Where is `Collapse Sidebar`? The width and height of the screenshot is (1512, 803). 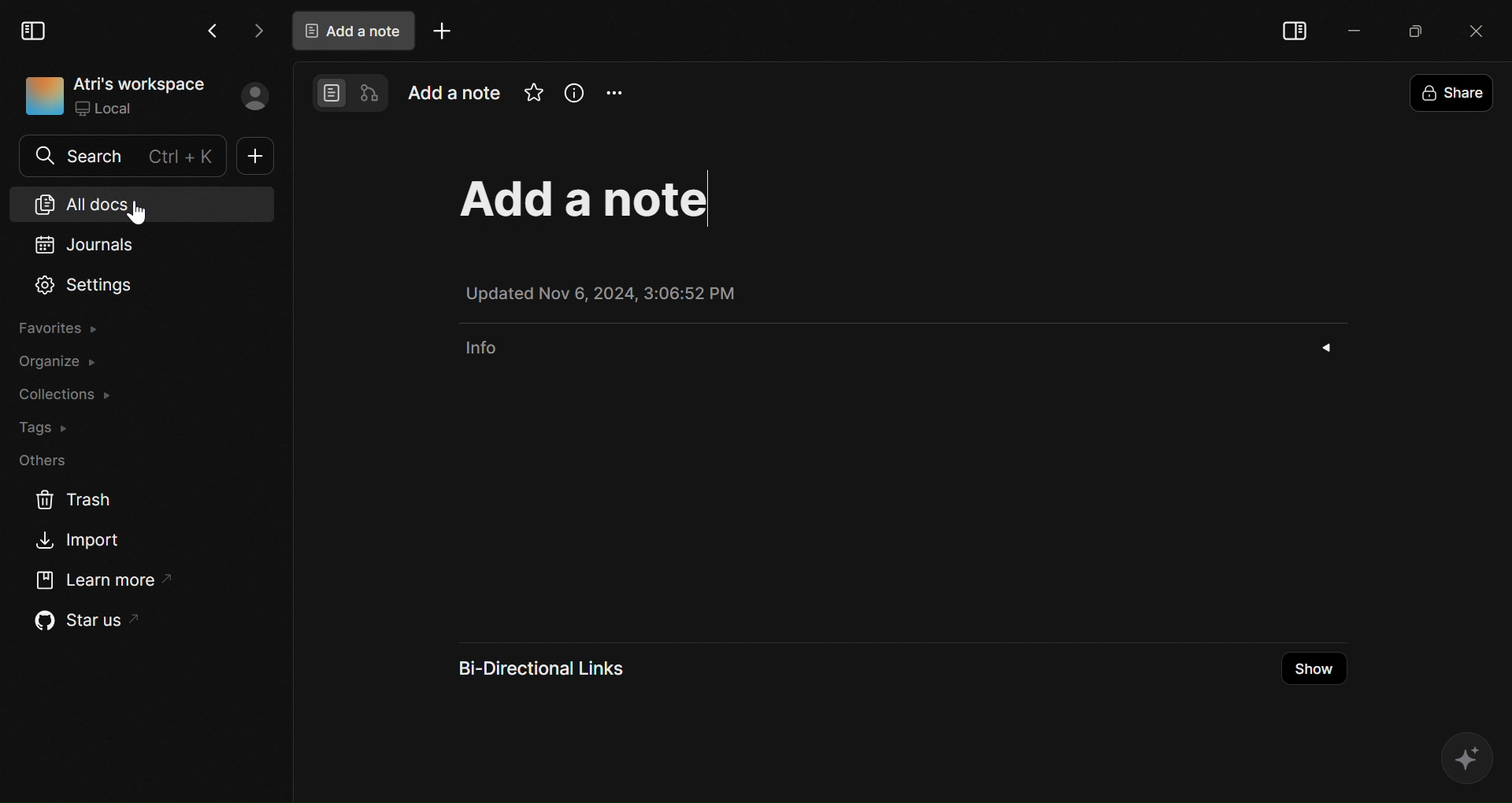 Collapse Sidebar is located at coordinates (35, 28).